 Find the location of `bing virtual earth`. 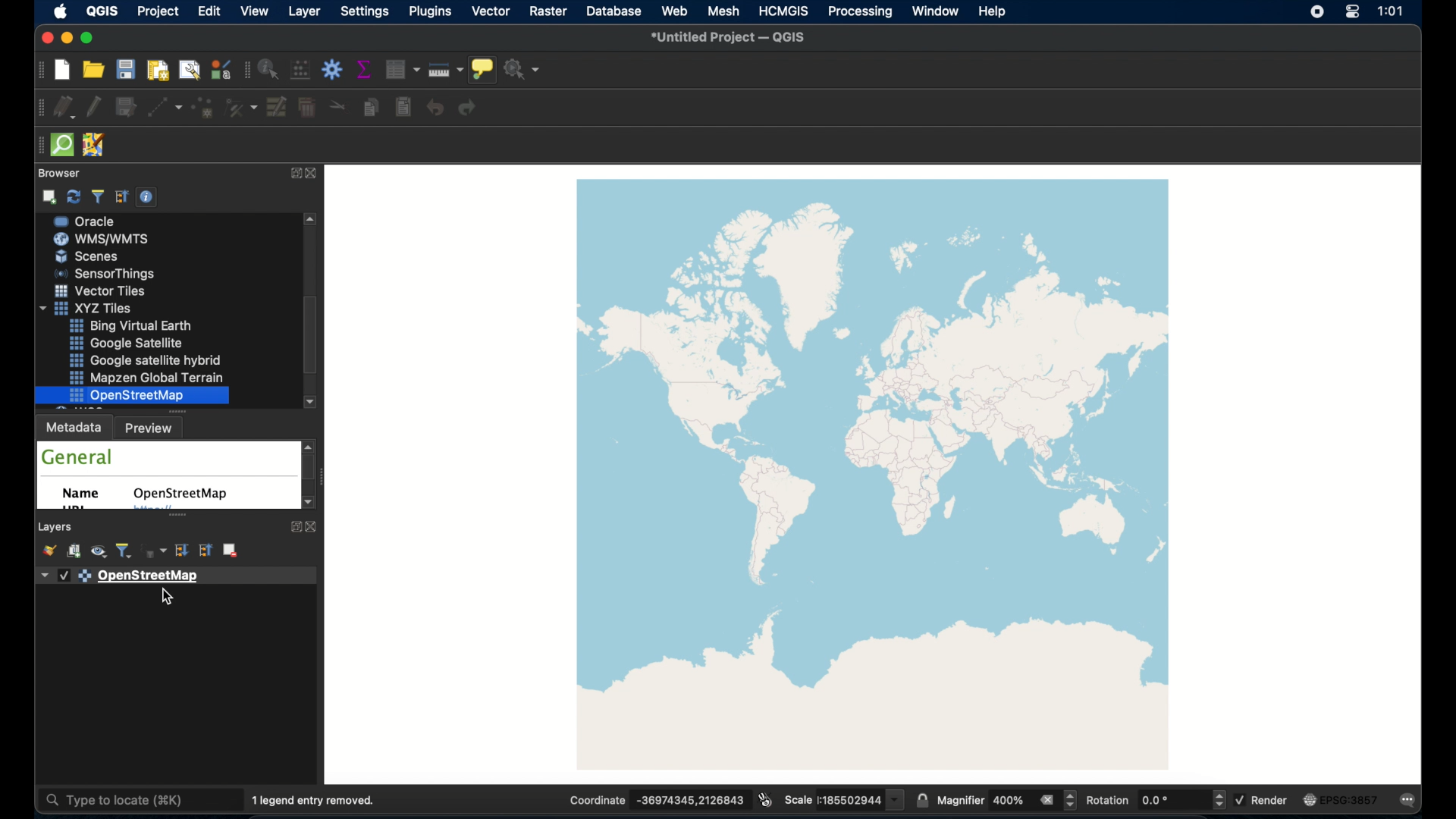

bing virtual earth is located at coordinates (151, 378).